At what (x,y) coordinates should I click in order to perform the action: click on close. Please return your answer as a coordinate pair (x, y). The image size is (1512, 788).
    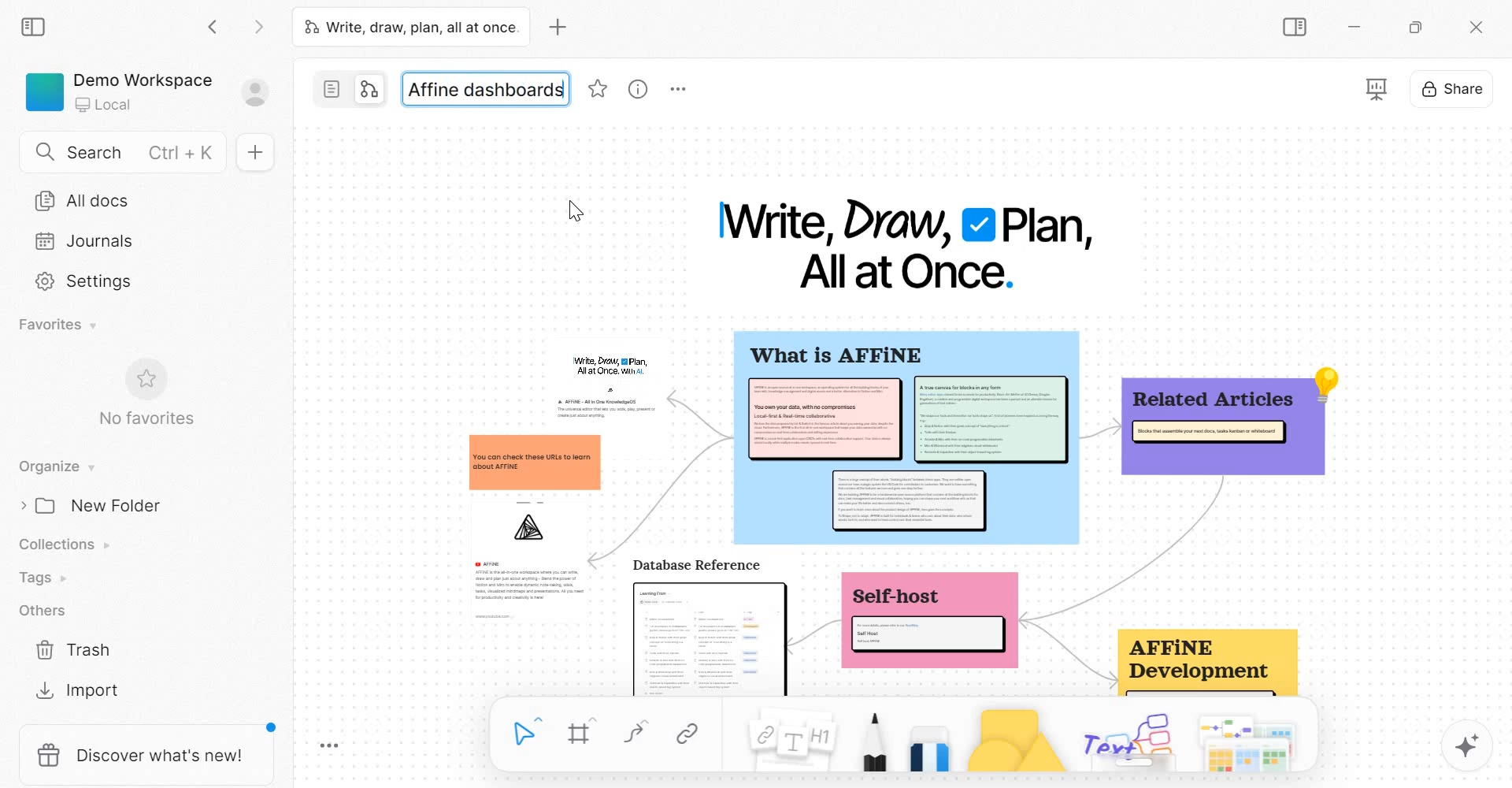
    Looking at the image, I should click on (1477, 29).